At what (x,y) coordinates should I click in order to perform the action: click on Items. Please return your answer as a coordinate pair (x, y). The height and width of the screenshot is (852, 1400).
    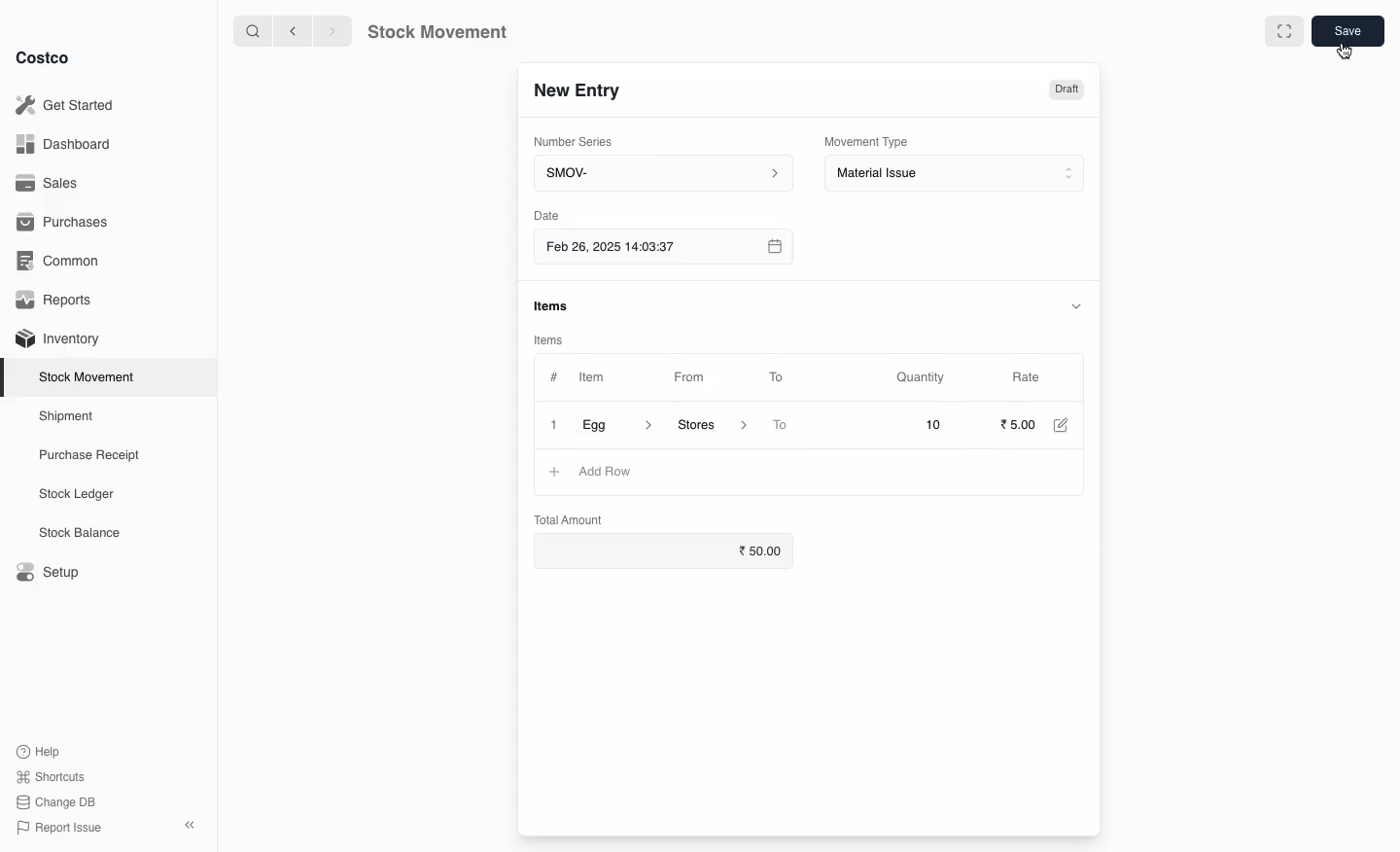
    Looking at the image, I should click on (546, 339).